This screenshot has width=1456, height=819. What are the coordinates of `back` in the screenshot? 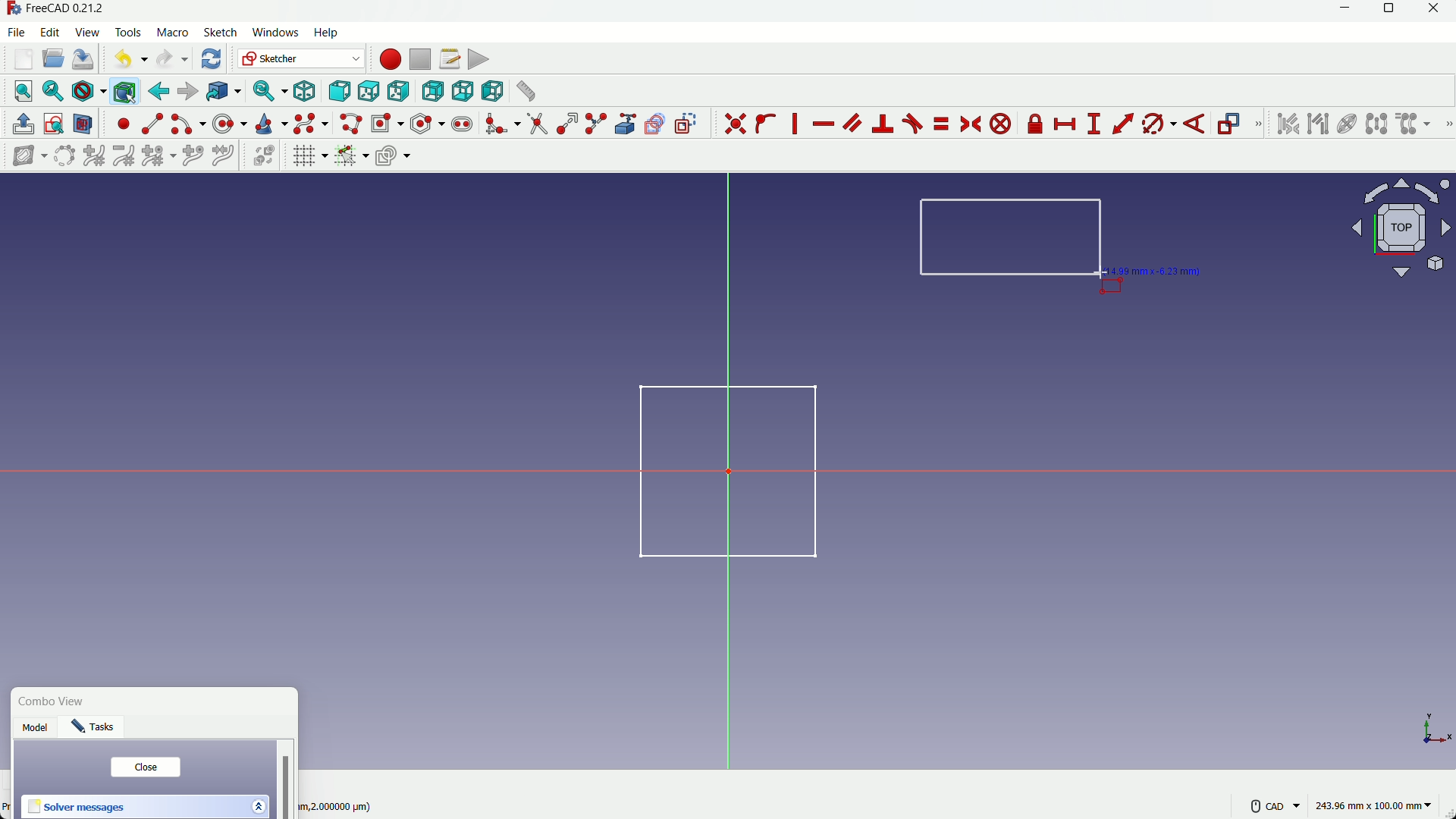 It's located at (158, 91).